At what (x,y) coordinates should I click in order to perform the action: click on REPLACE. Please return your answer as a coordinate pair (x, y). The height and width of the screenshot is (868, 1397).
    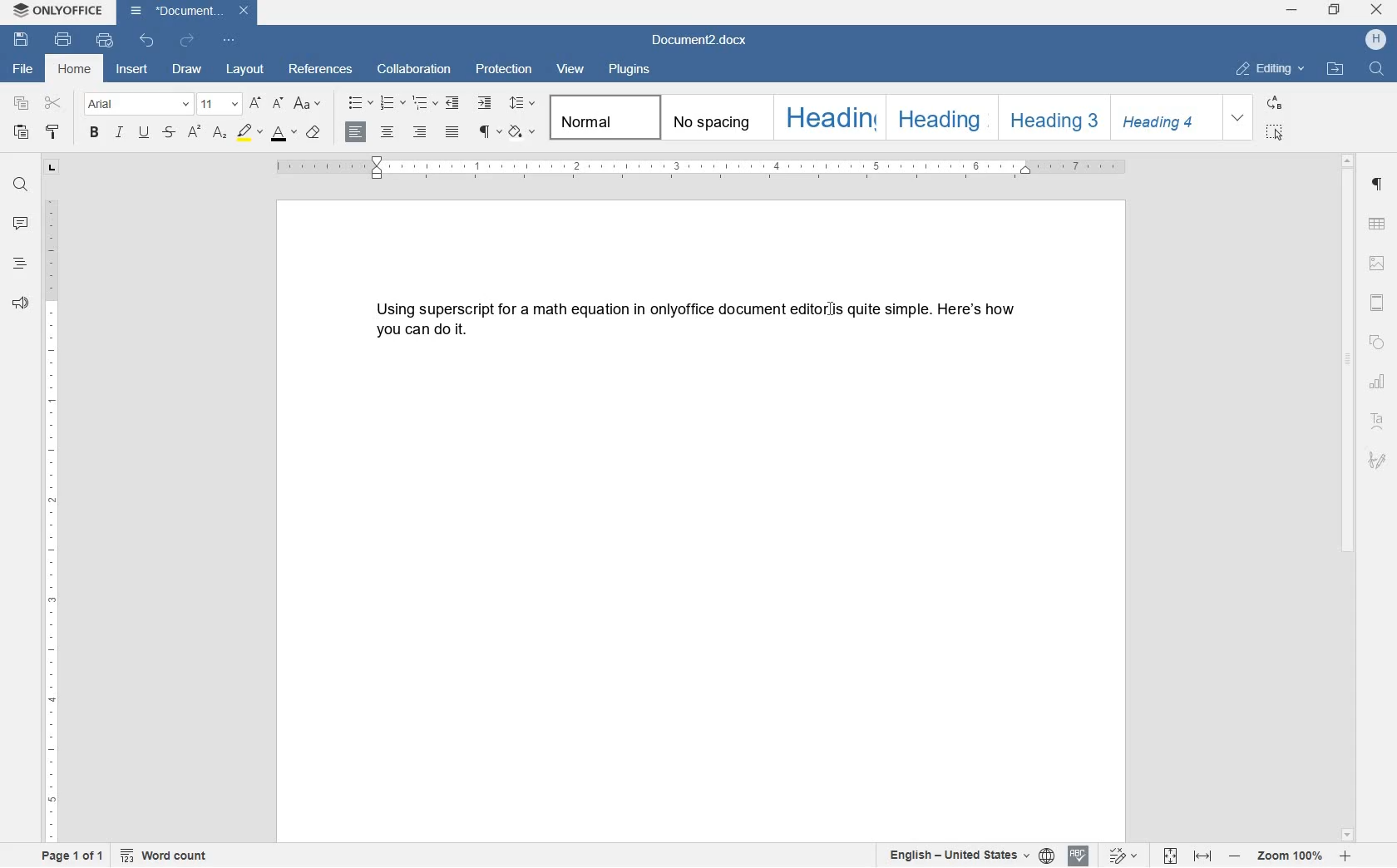
    Looking at the image, I should click on (1275, 104).